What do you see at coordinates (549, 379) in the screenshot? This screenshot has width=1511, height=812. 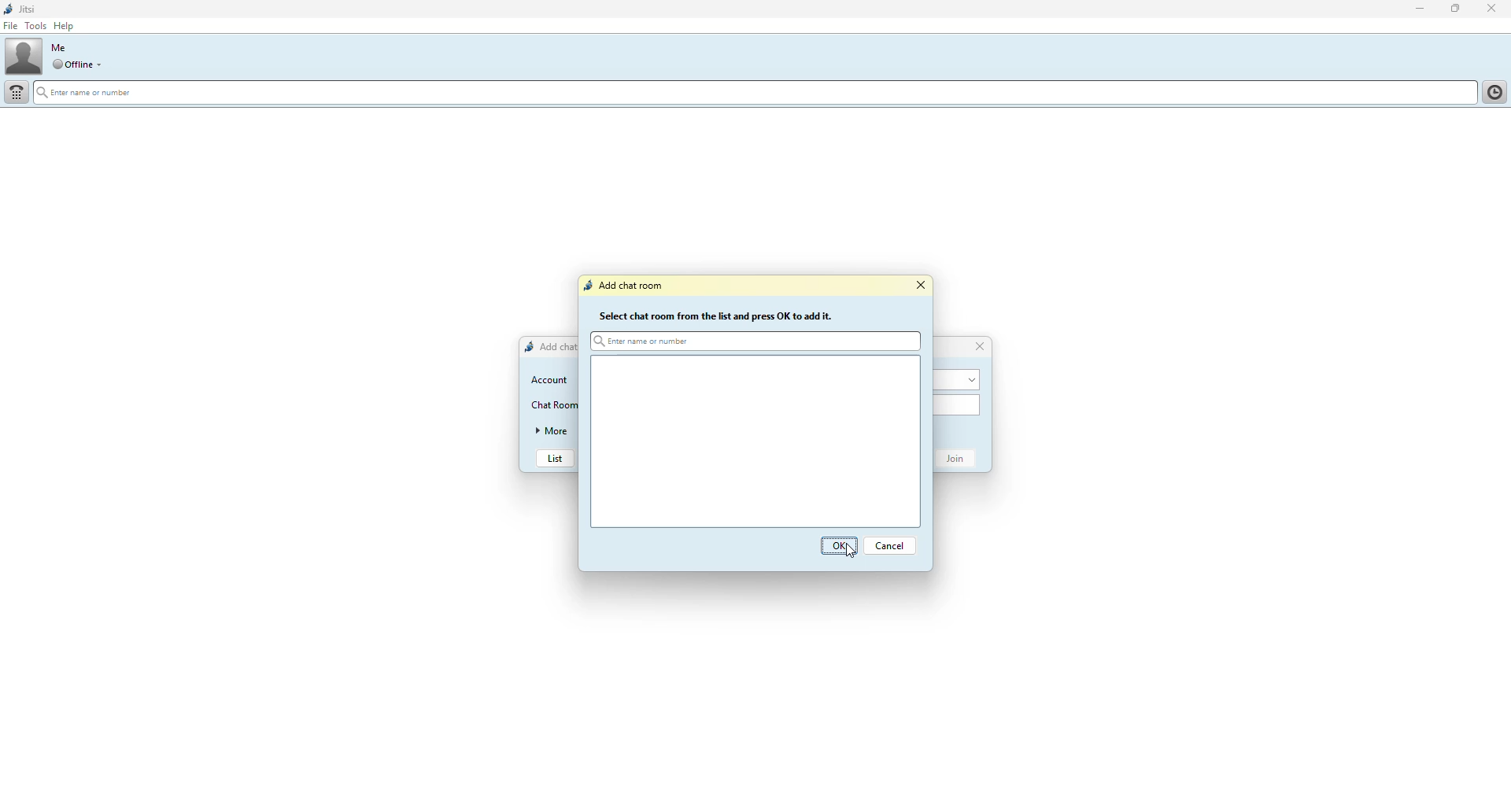 I see `account` at bounding box center [549, 379].